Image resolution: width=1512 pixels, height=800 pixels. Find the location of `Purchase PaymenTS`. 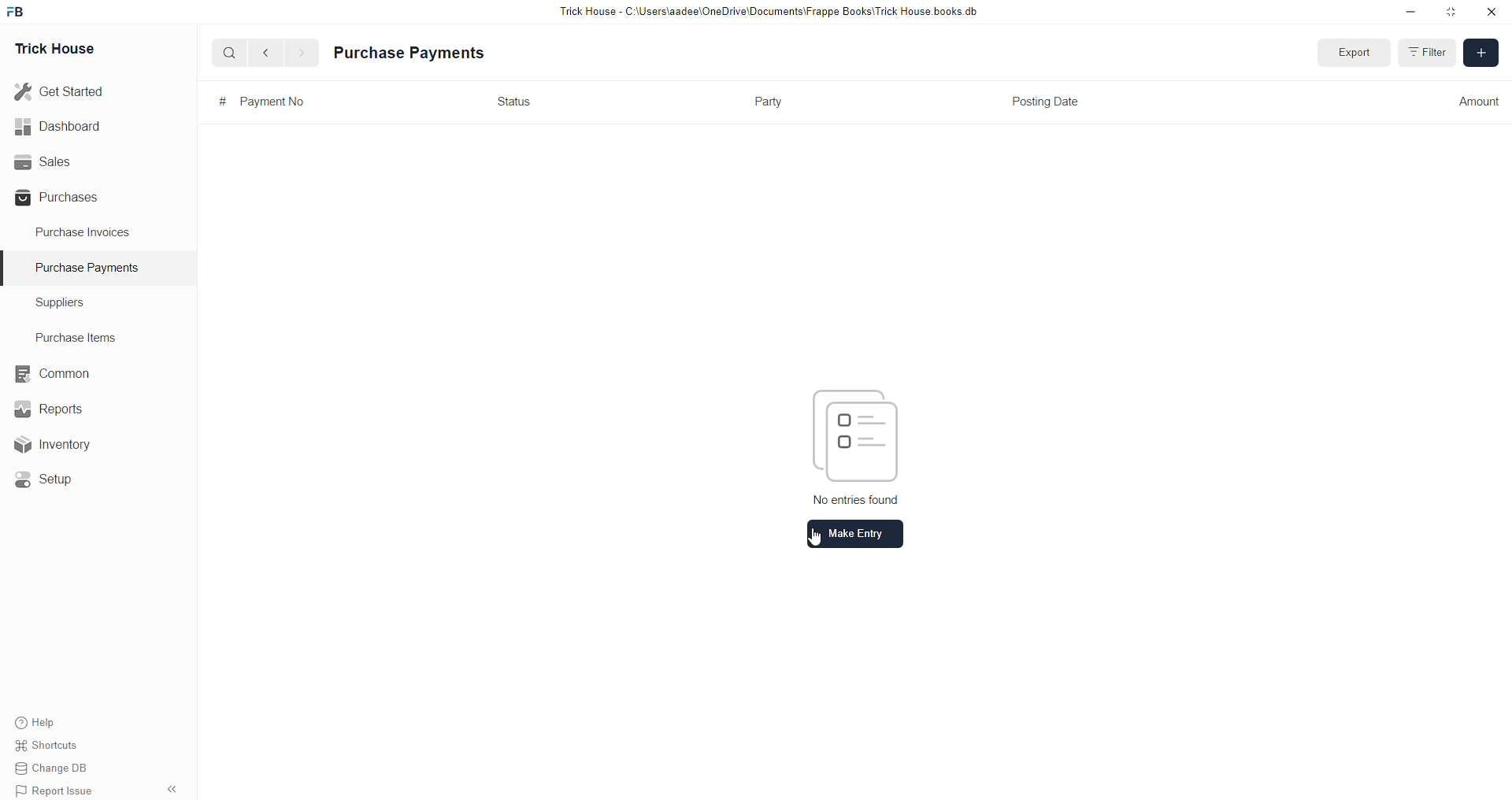

Purchase PaymenTS is located at coordinates (83, 268).